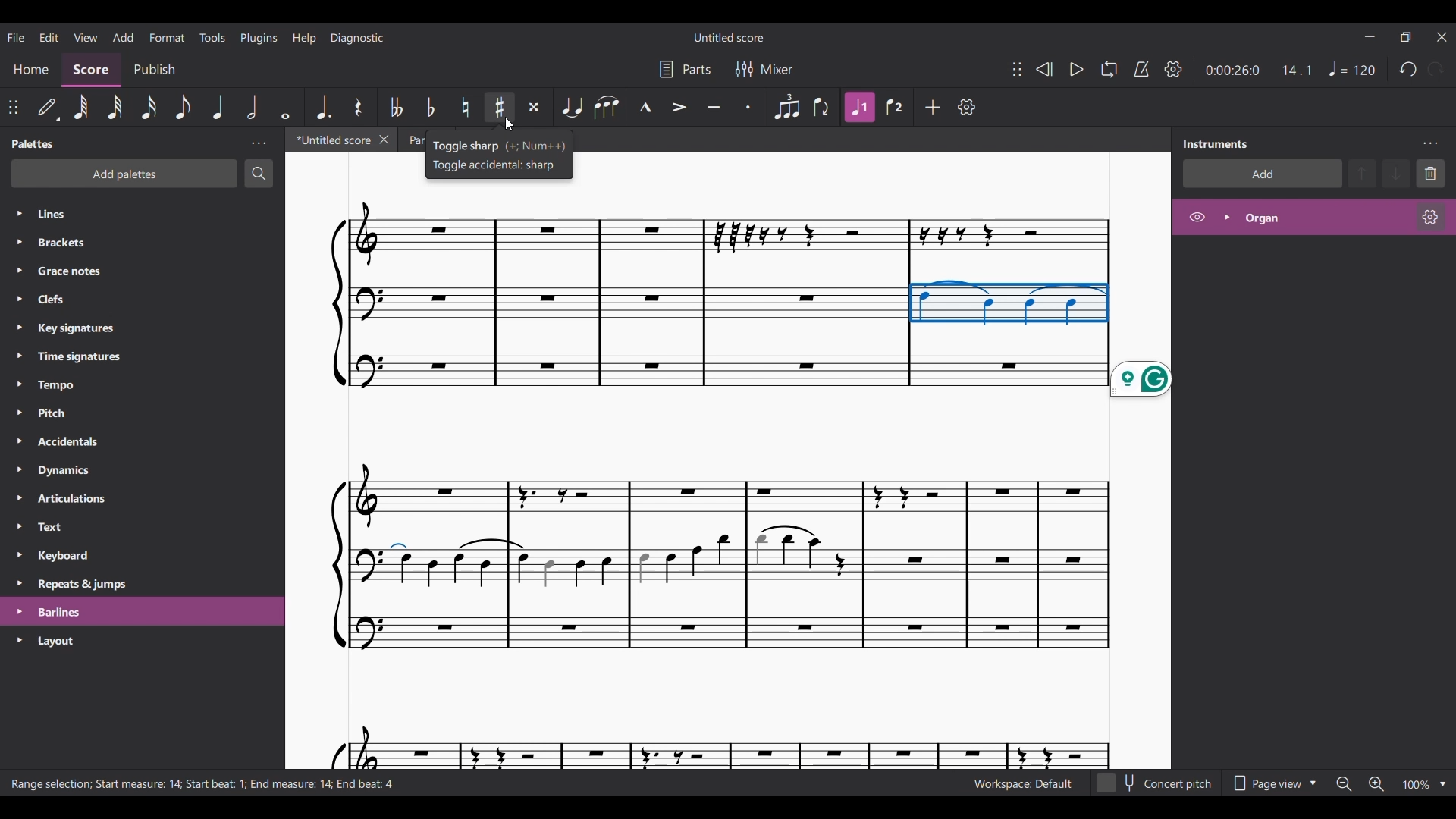  What do you see at coordinates (155, 71) in the screenshot?
I see `Publish section` at bounding box center [155, 71].